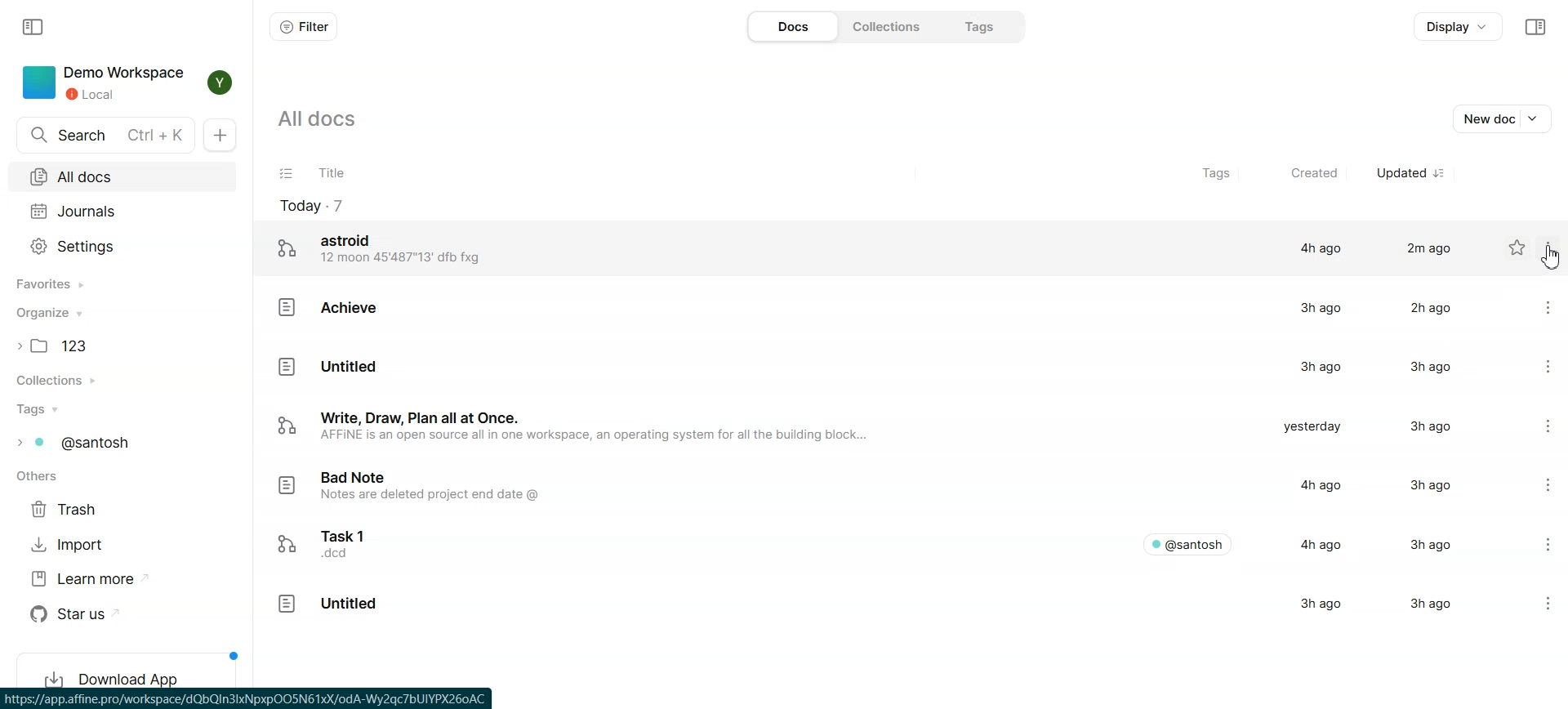 The image size is (1568, 709). What do you see at coordinates (1326, 607) in the screenshot?
I see `3h ago` at bounding box center [1326, 607].